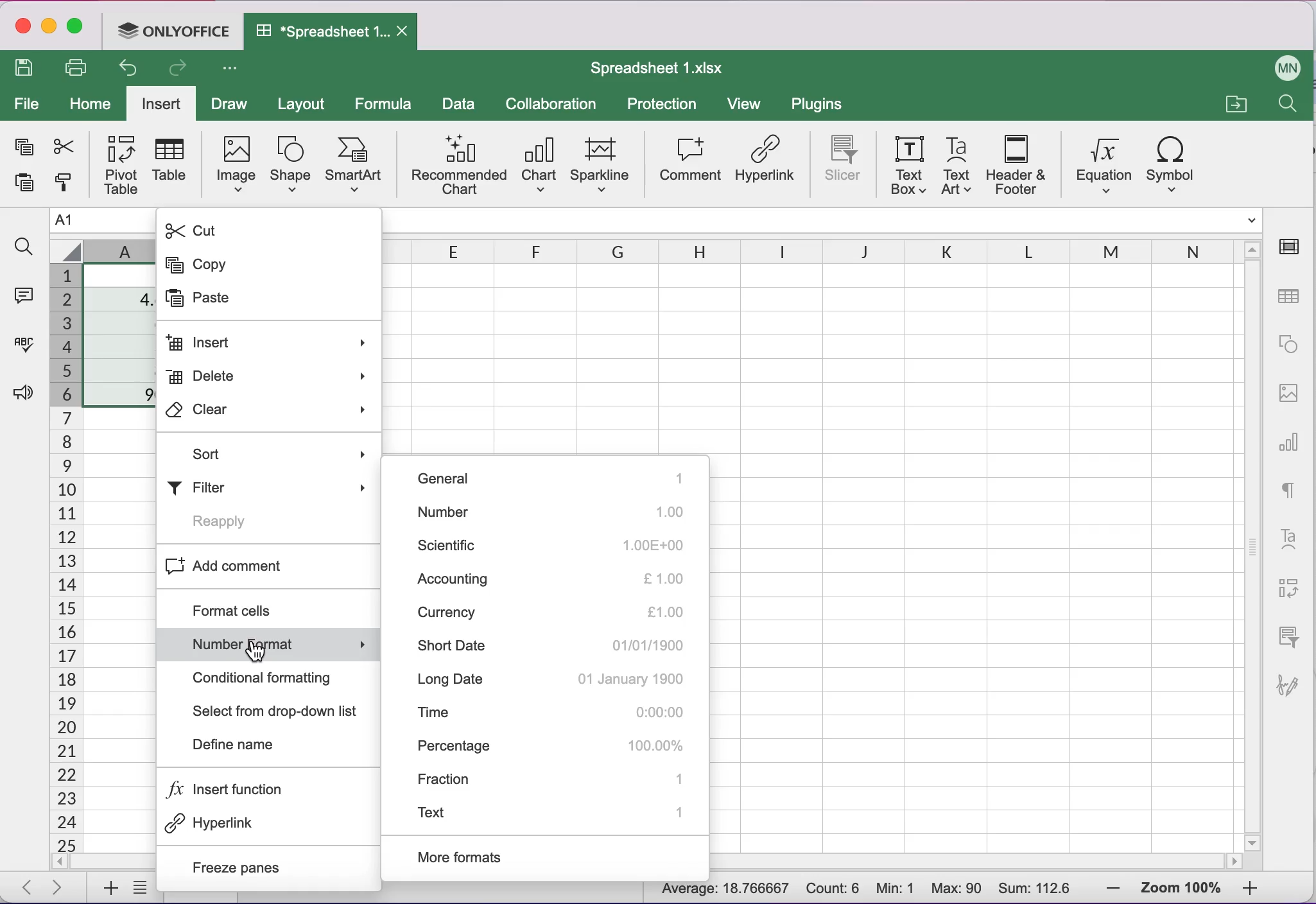 This screenshot has width=1316, height=904. I want to click on User name, so click(1283, 67).